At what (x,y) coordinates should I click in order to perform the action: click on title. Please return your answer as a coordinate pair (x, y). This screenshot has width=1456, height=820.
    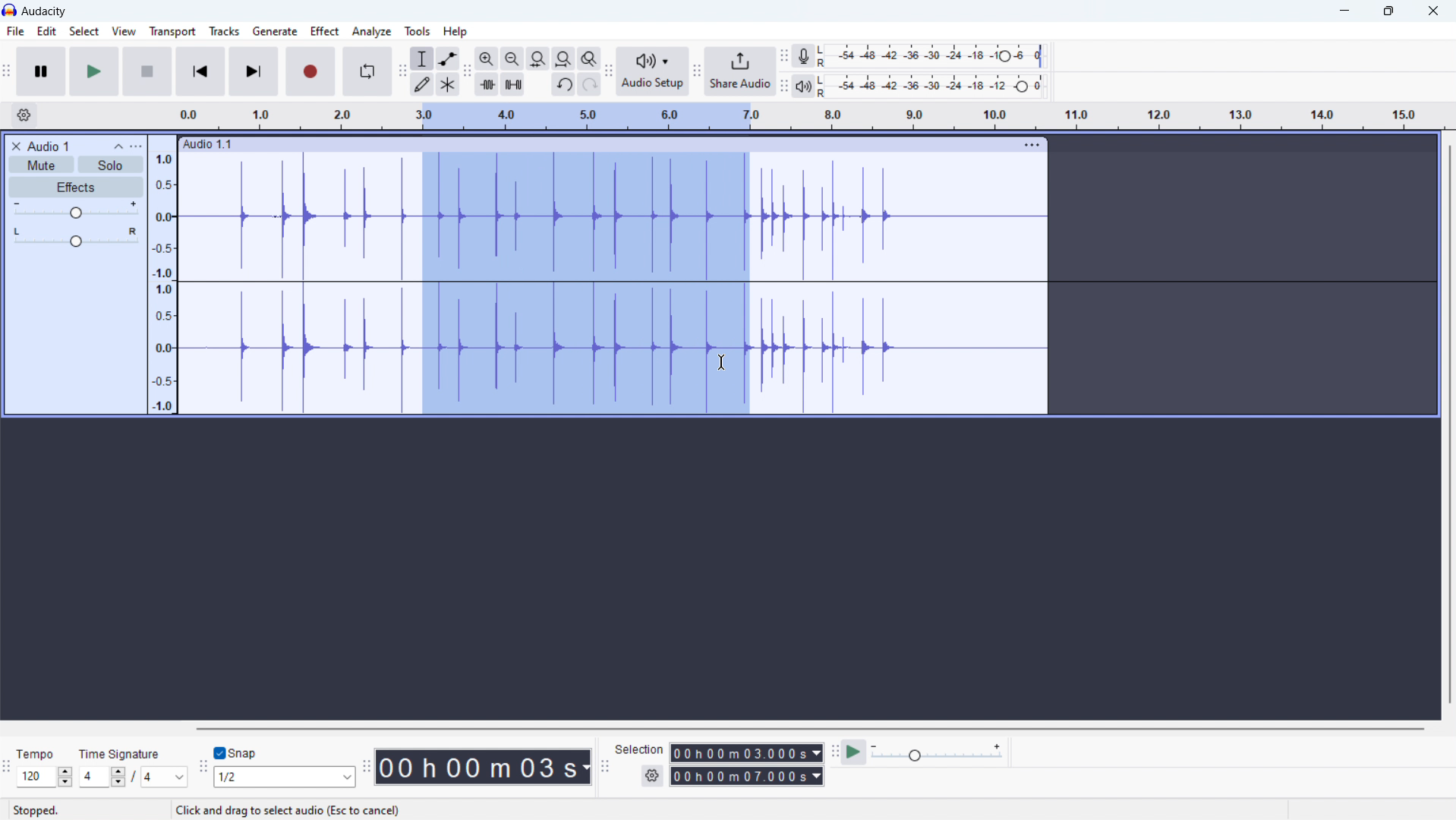
    Looking at the image, I should click on (43, 11).